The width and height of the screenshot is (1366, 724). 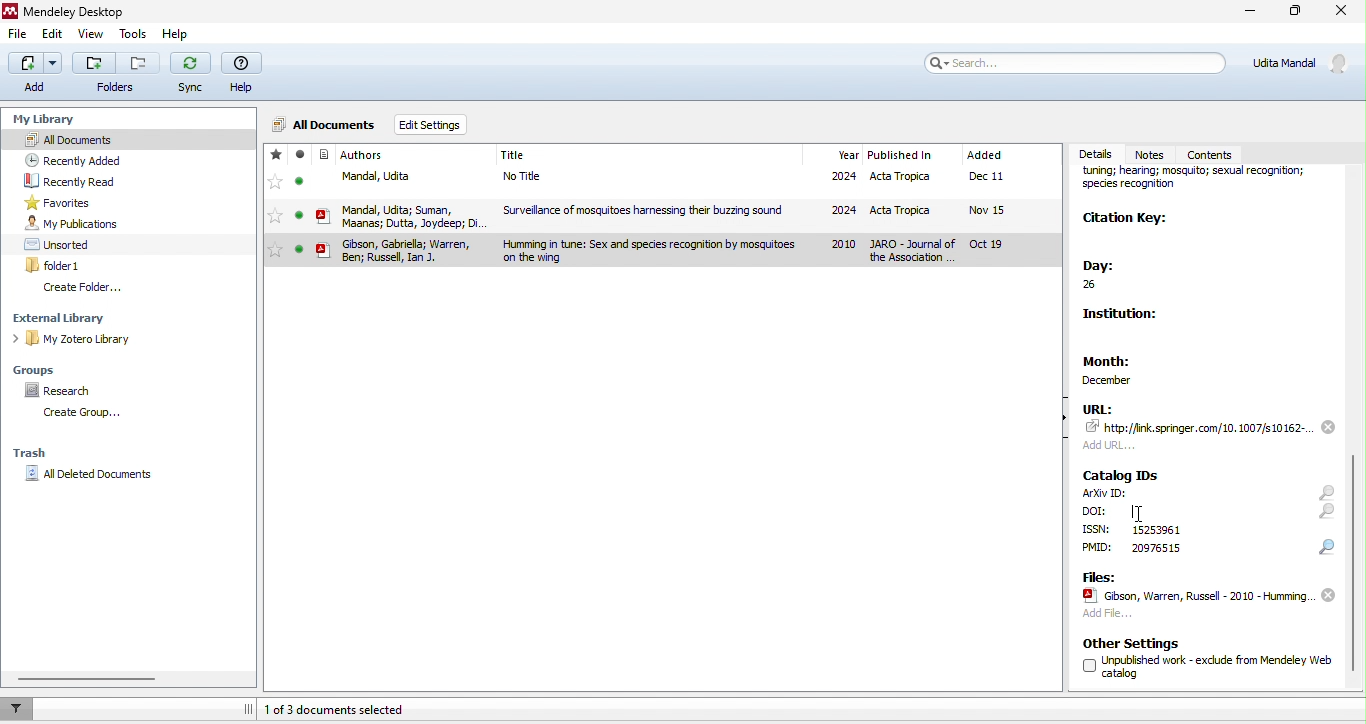 What do you see at coordinates (1169, 510) in the screenshot?
I see `typing` at bounding box center [1169, 510].